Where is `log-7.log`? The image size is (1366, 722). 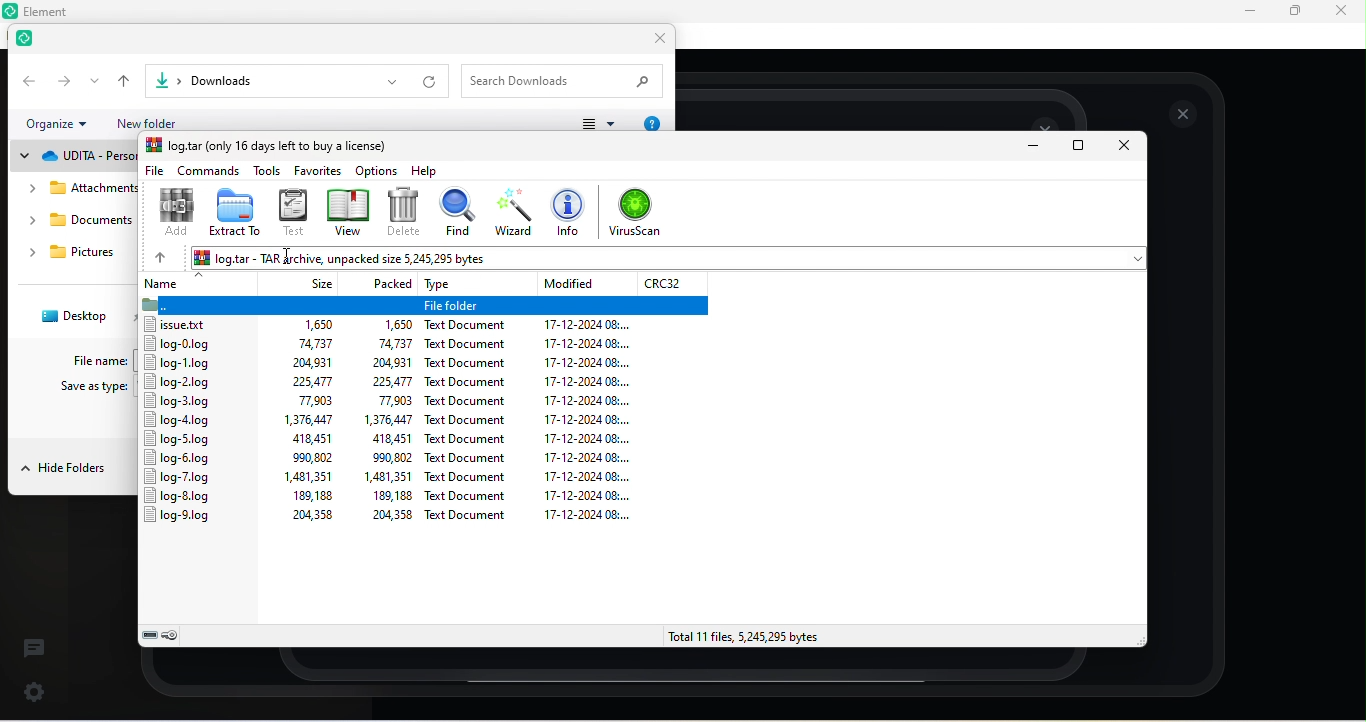 log-7.log is located at coordinates (176, 476).